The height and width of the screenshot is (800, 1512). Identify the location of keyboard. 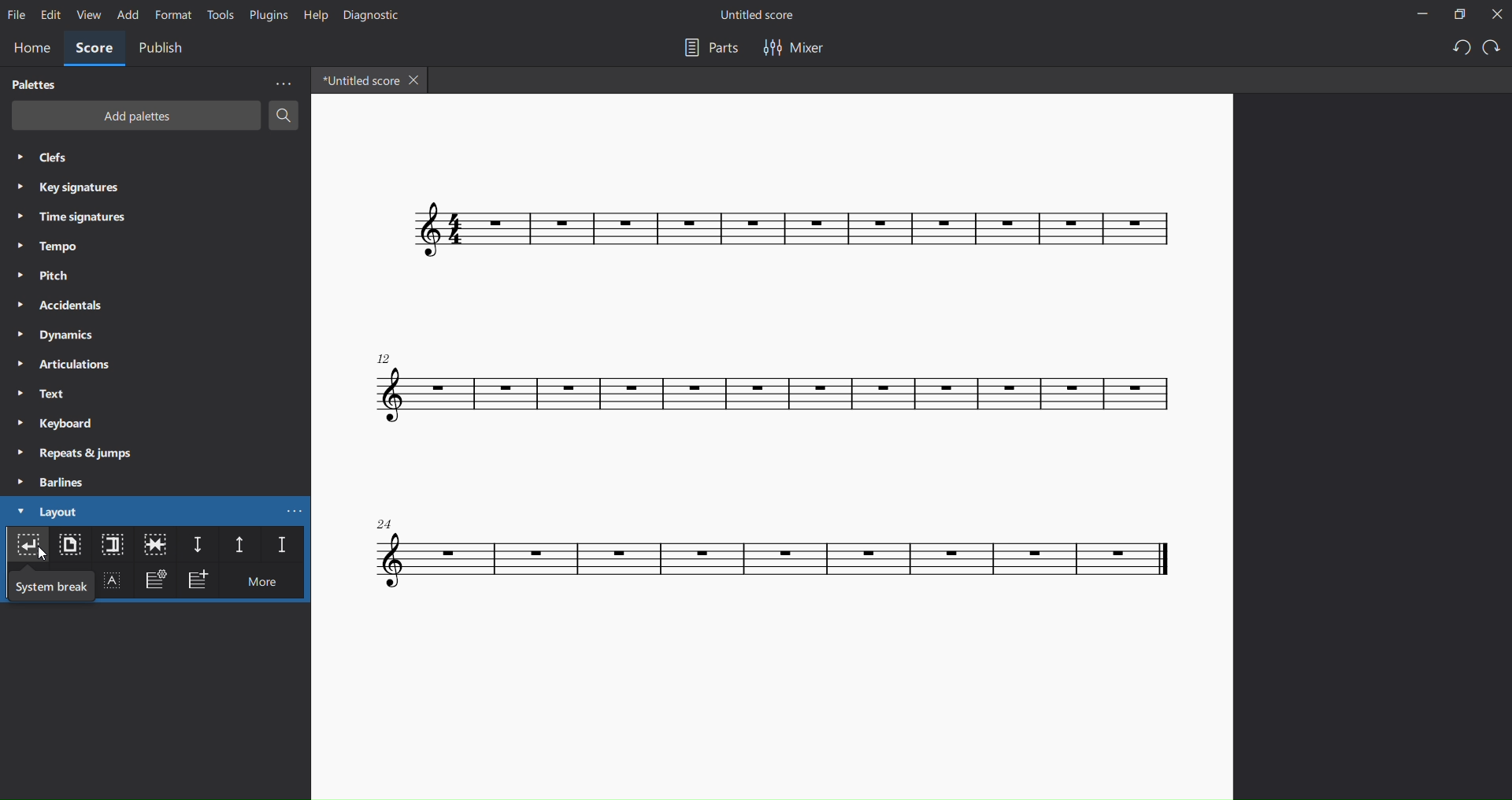
(55, 424).